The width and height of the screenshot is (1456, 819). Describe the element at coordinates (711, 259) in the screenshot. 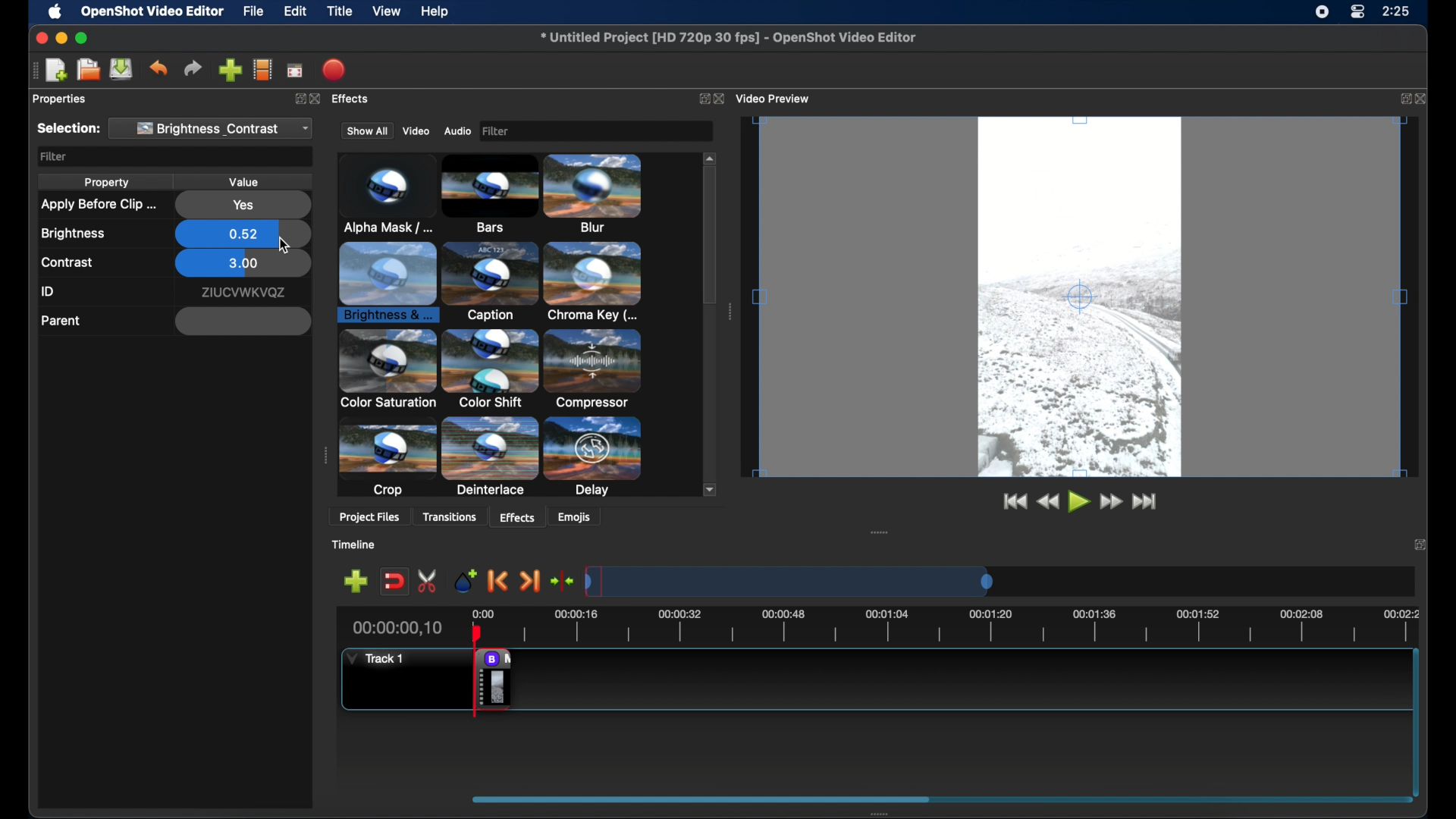

I see `scroll box` at that location.